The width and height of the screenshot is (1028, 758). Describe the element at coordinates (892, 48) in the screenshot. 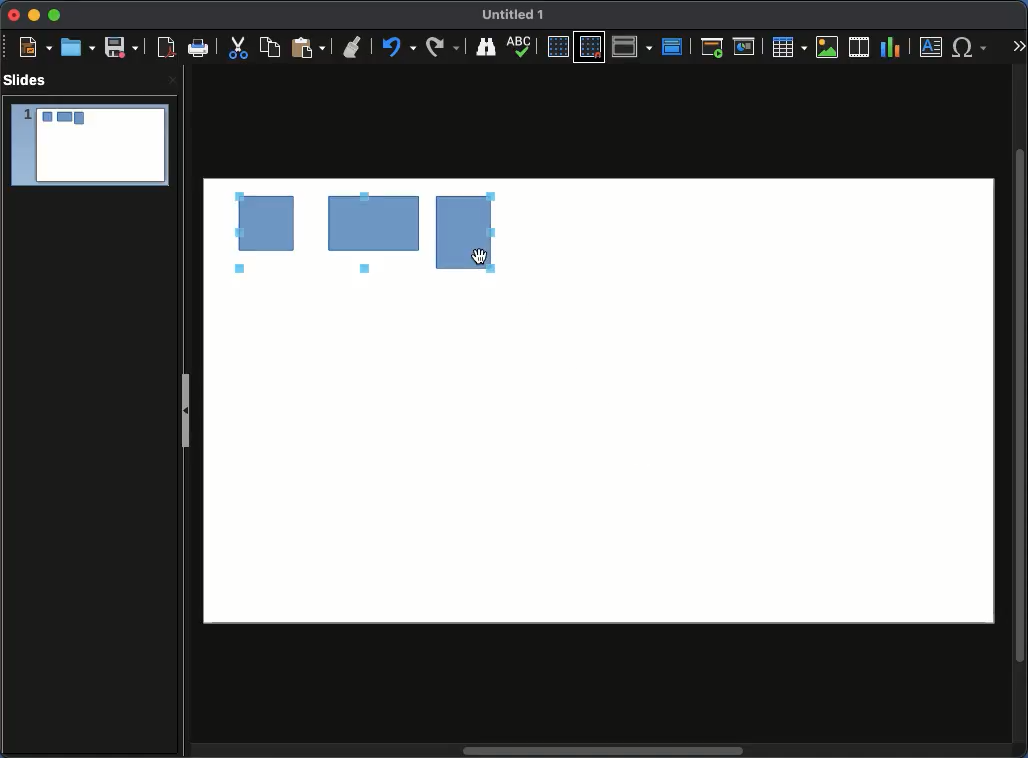

I see `Chart` at that location.